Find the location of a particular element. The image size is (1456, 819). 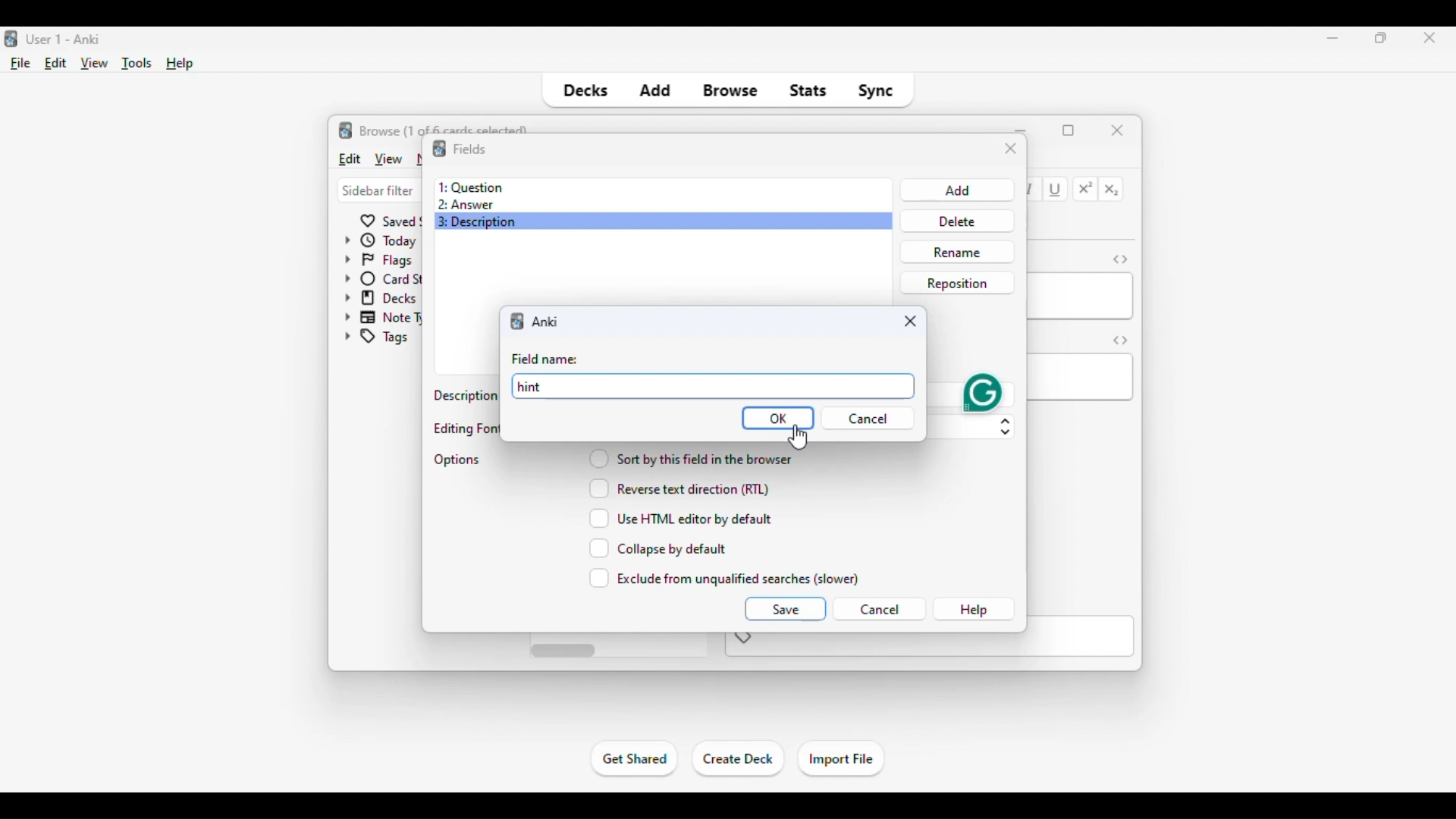

view is located at coordinates (95, 64).